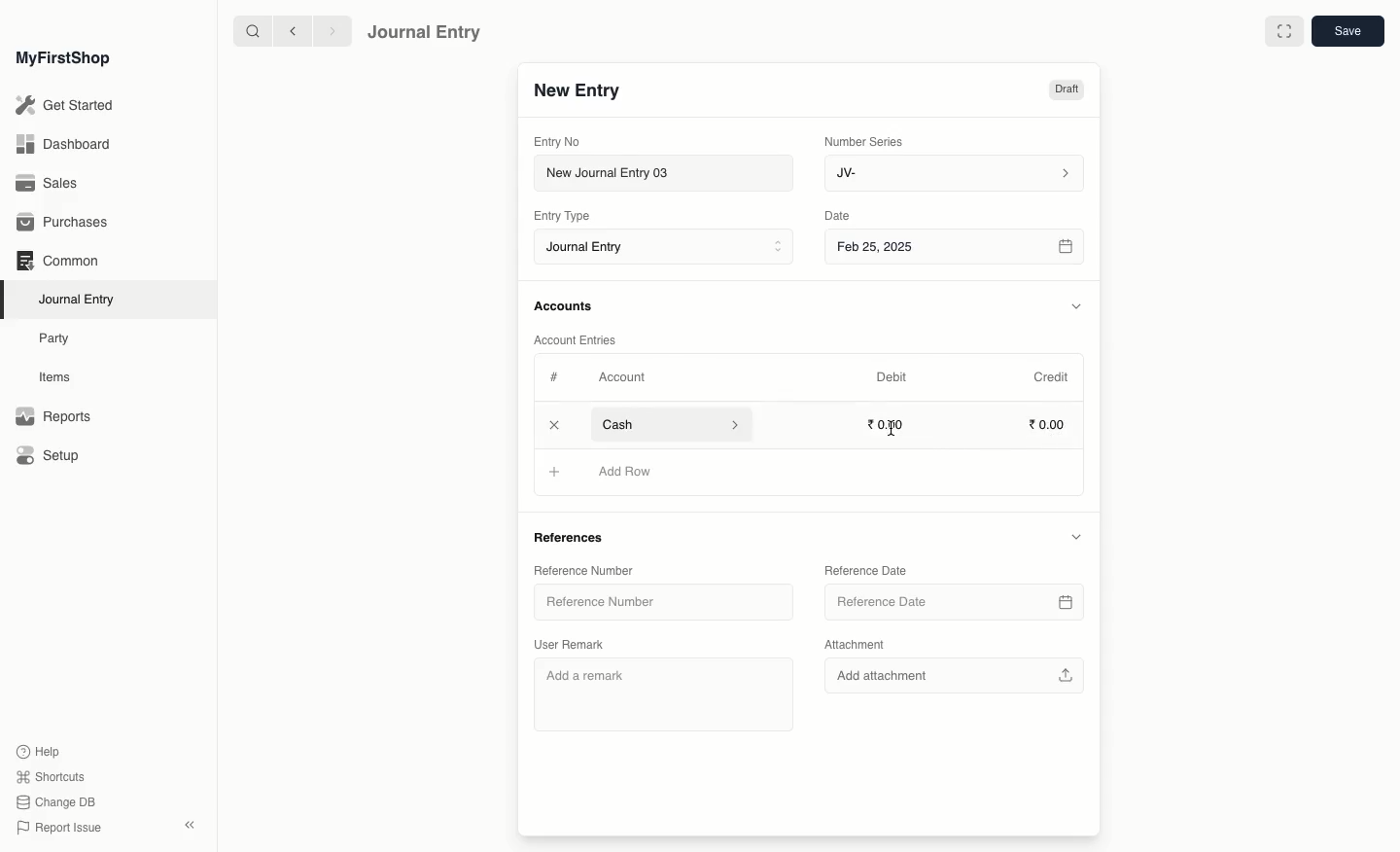 This screenshot has width=1400, height=852. What do you see at coordinates (1066, 91) in the screenshot?
I see `Draft` at bounding box center [1066, 91].